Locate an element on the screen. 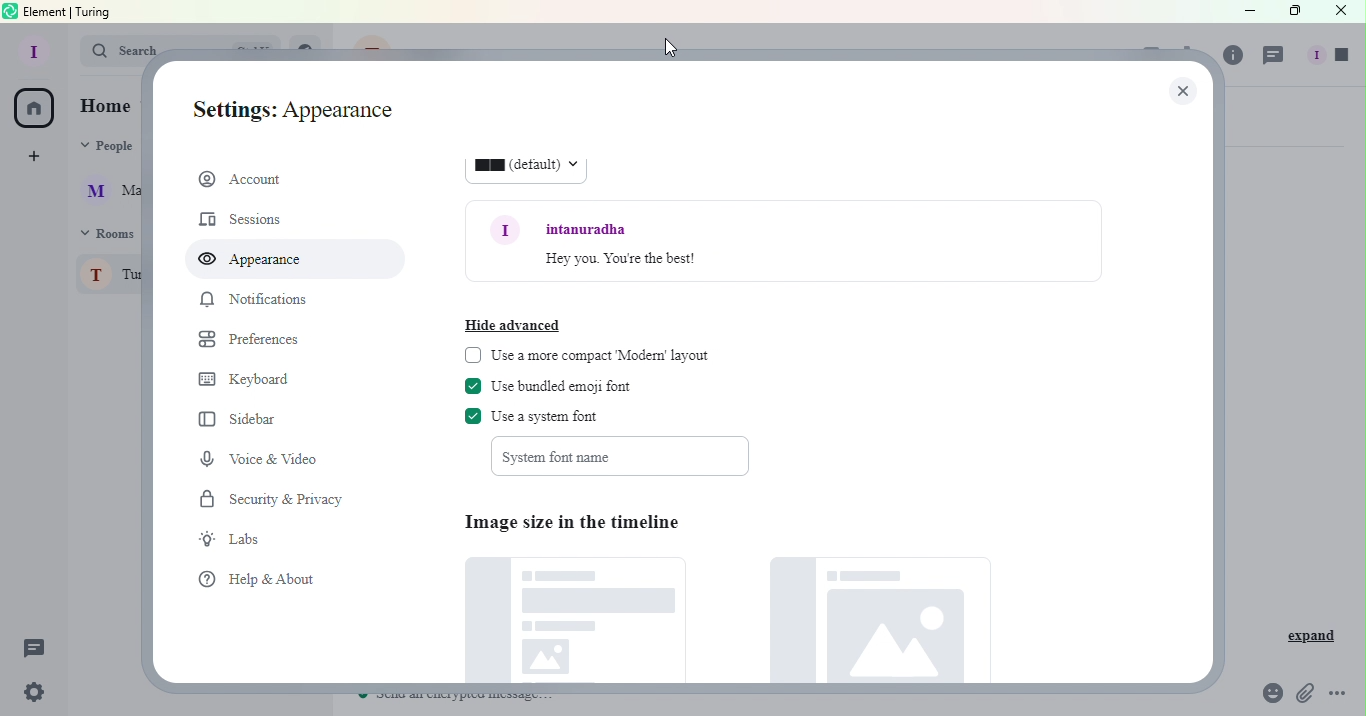 The image size is (1366, 716). Account is located at coordinates (279, 179).